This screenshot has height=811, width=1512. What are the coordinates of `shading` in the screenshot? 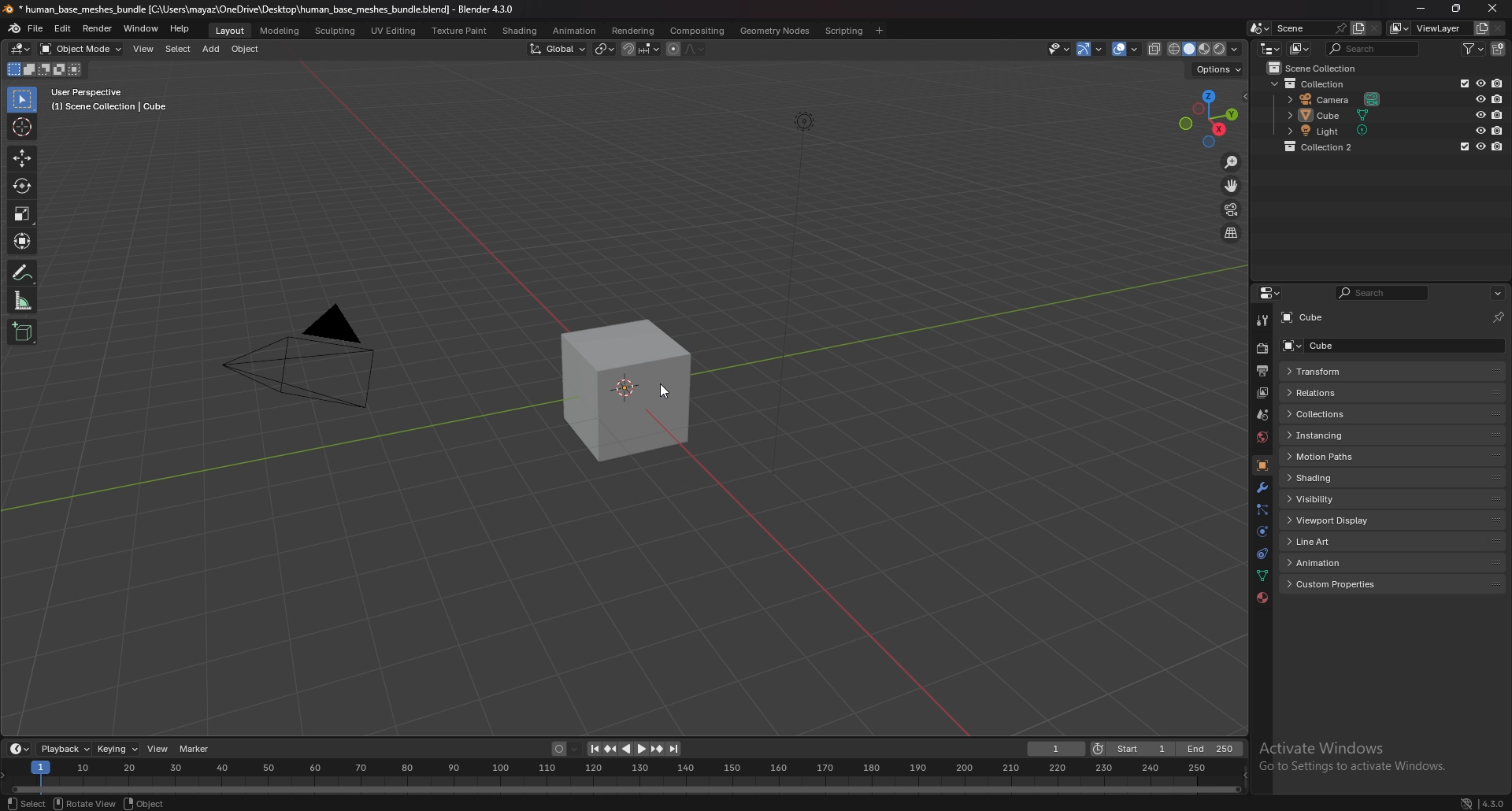 It's located at (1343, 477).